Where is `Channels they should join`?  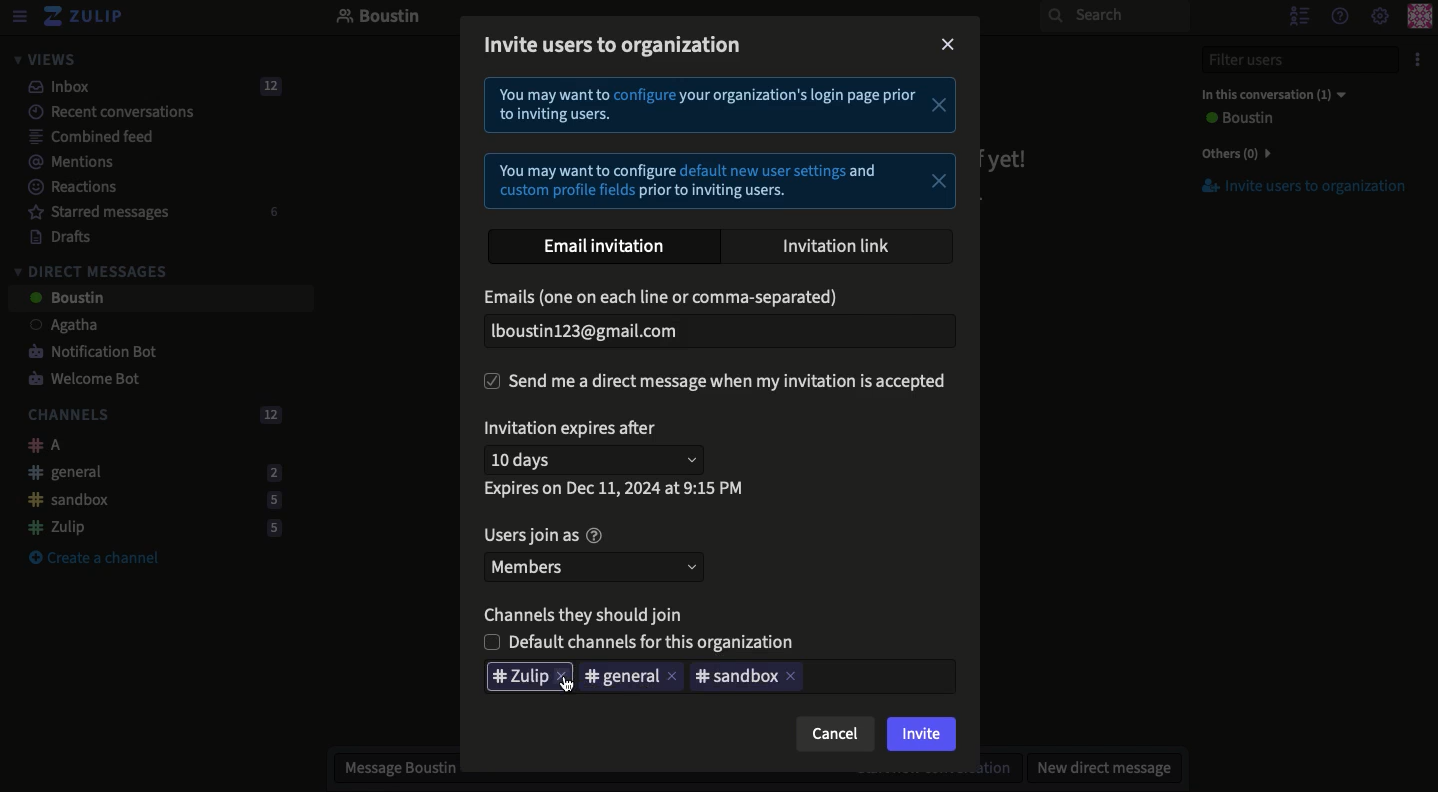
Channels they should join is located at coordinates (590, 613).